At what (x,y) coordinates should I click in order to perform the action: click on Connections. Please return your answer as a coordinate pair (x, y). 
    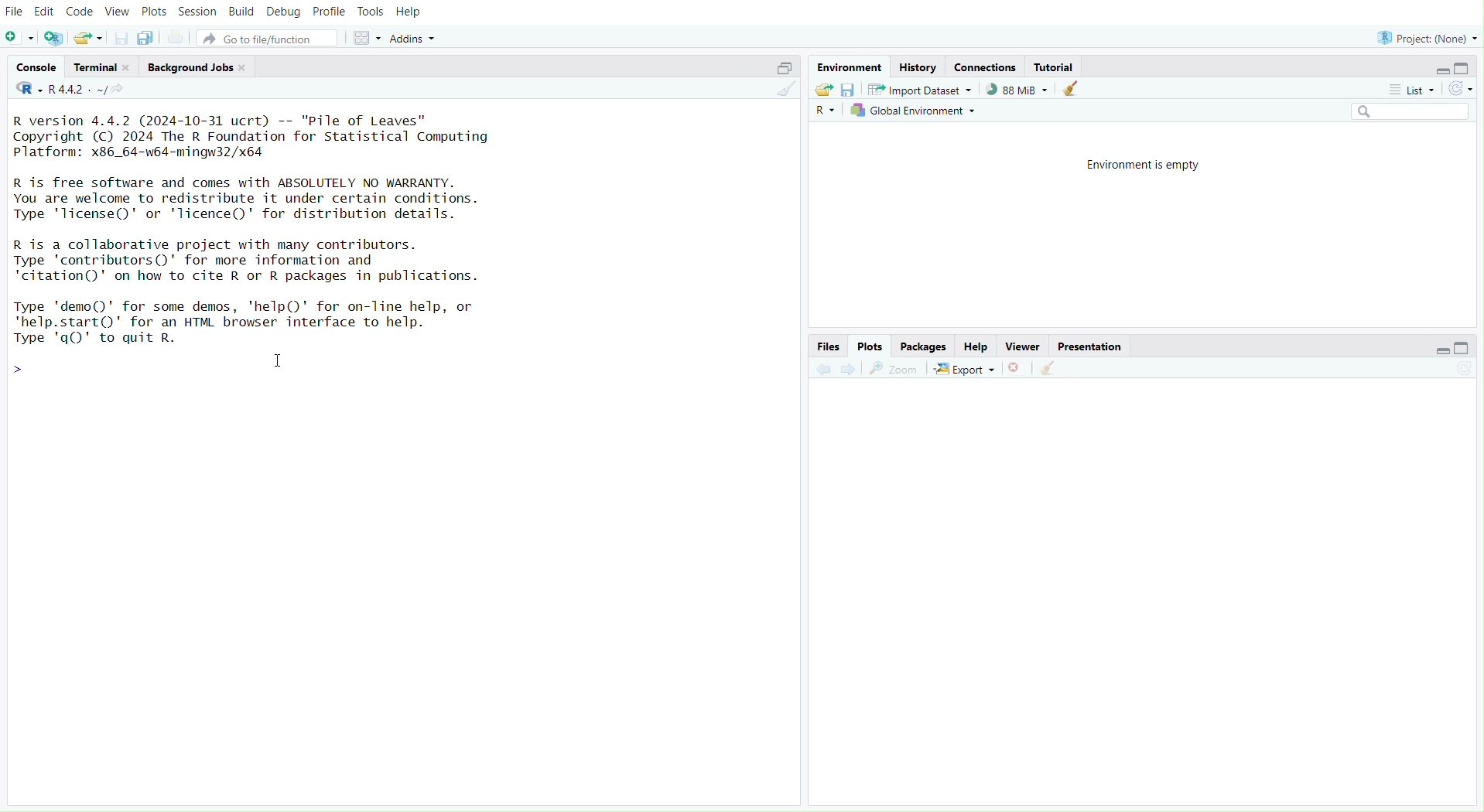
    Looking at the image, I should click on (986, 67).